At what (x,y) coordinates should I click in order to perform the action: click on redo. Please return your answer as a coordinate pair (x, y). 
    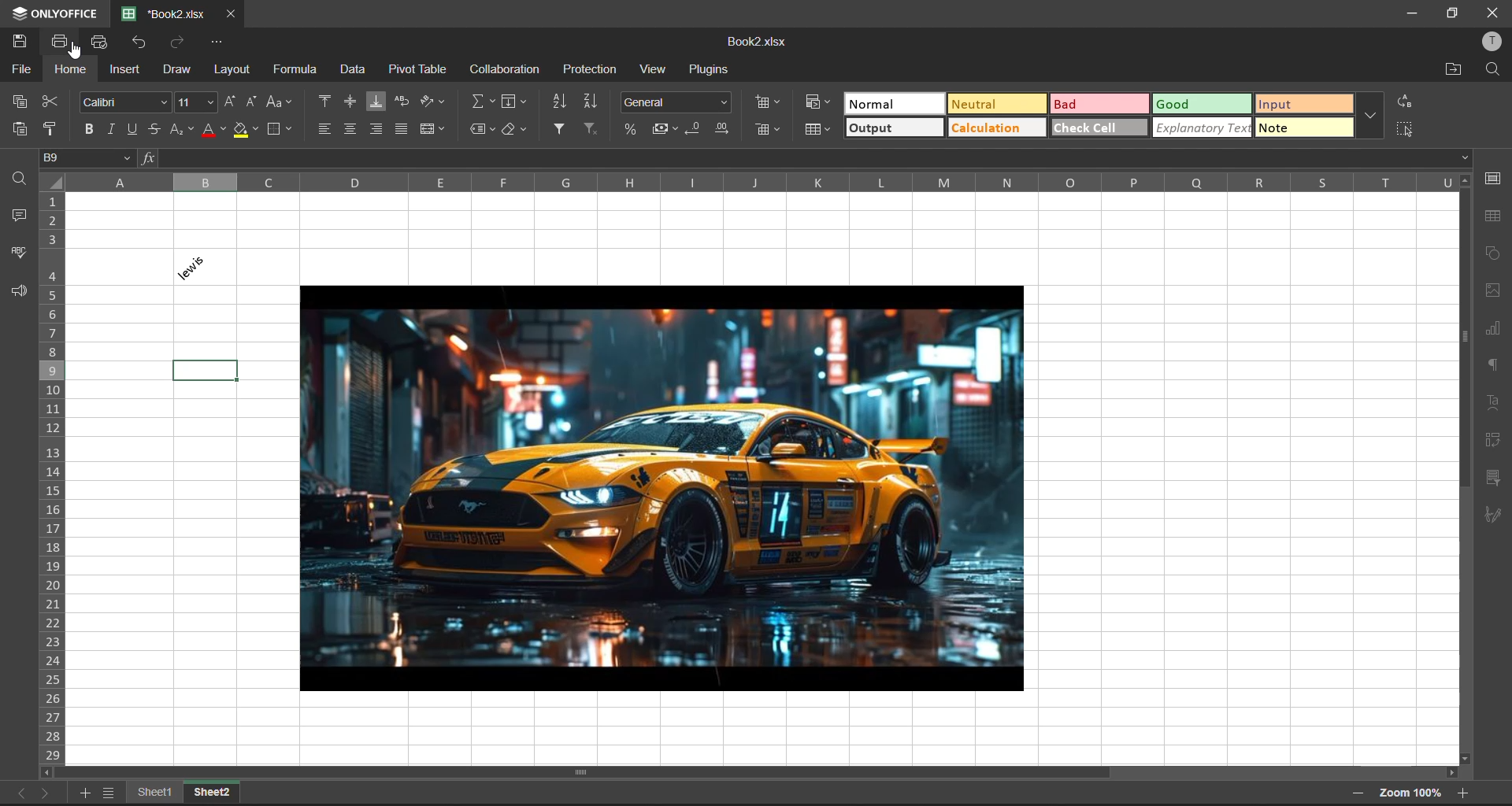
    Looking at the image, I should click on (180, 45).